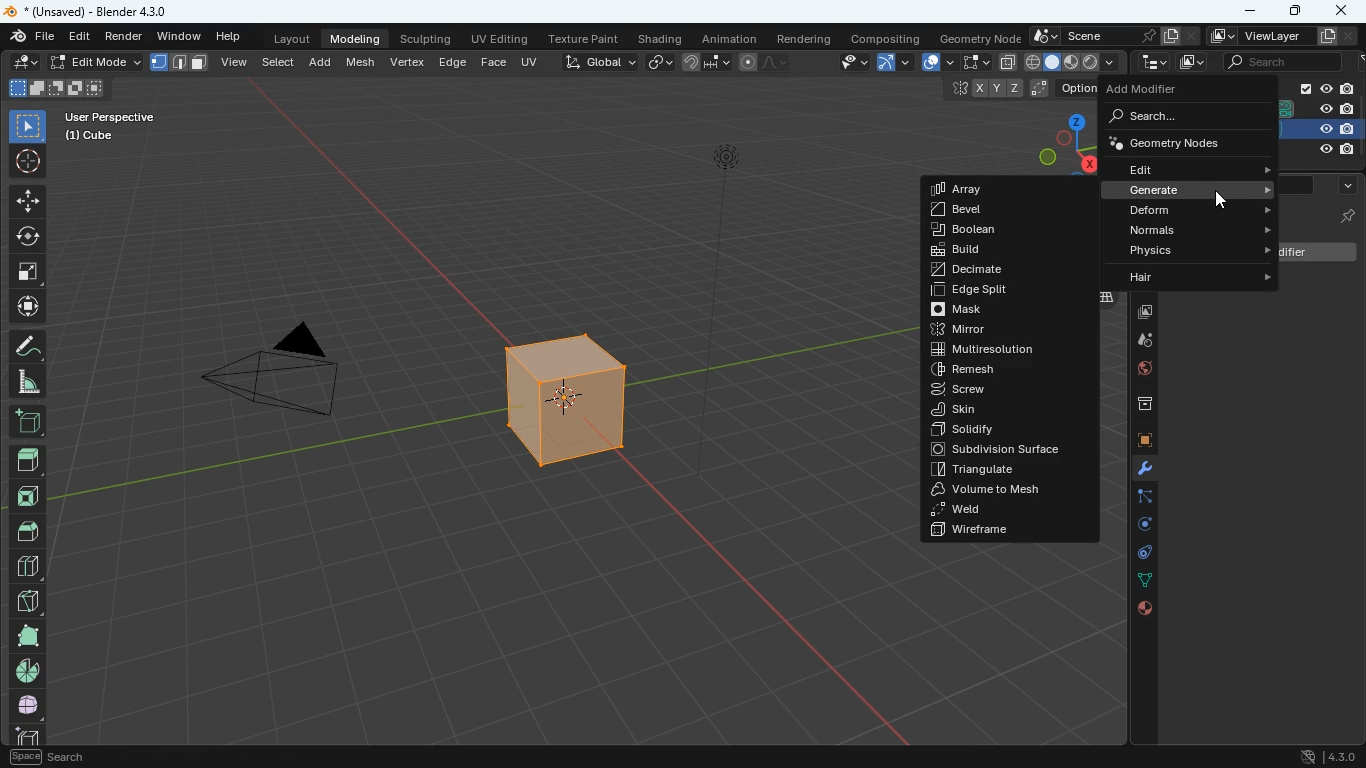 Image resolution: width=1366 pixels, height=768 pixels. I want to click on remesh, so click(1002, 371).